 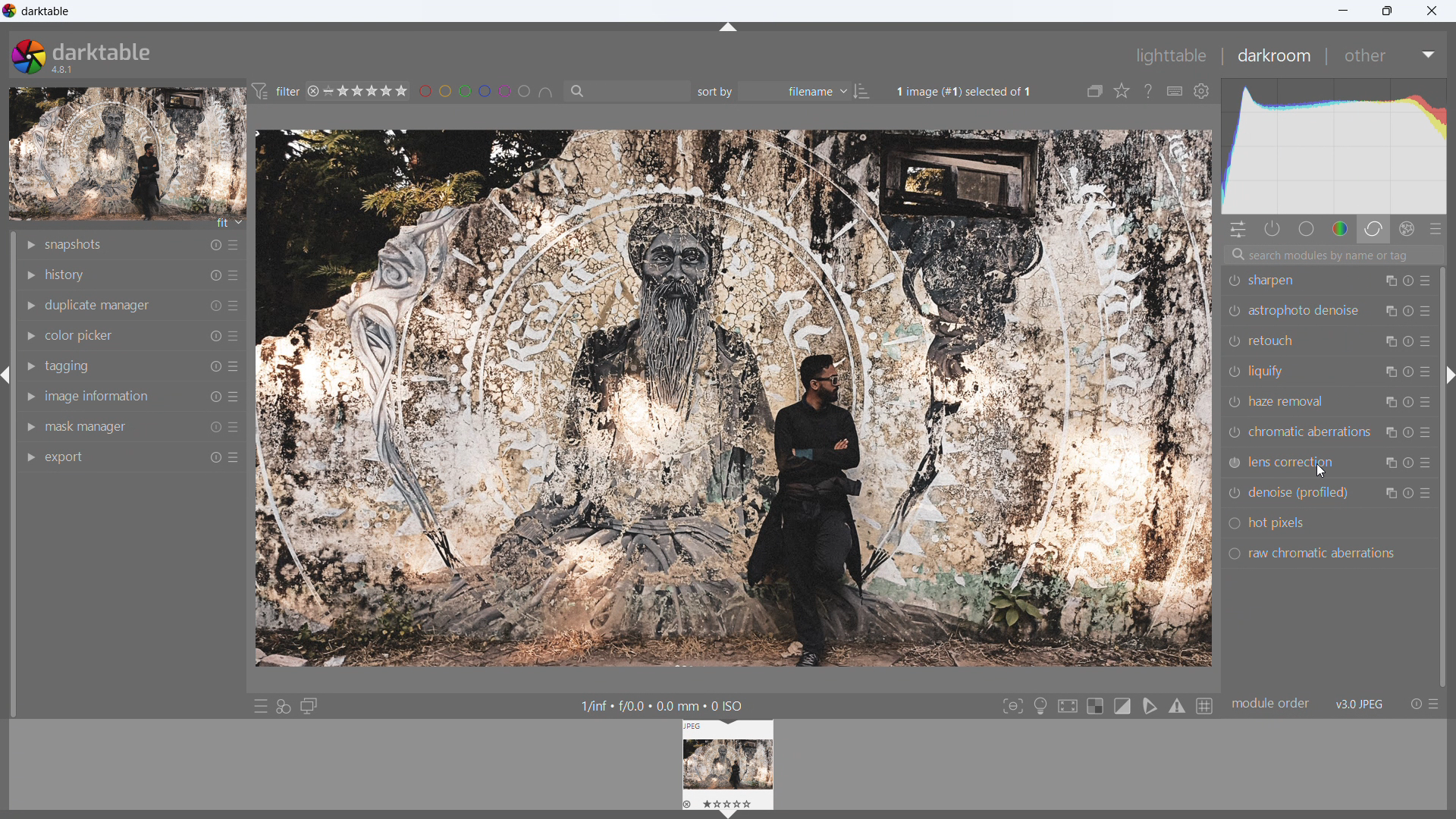 What do you see at coordinates (234, 337) in the screenshot?
I see `more options` at bounding box center [234, 337].